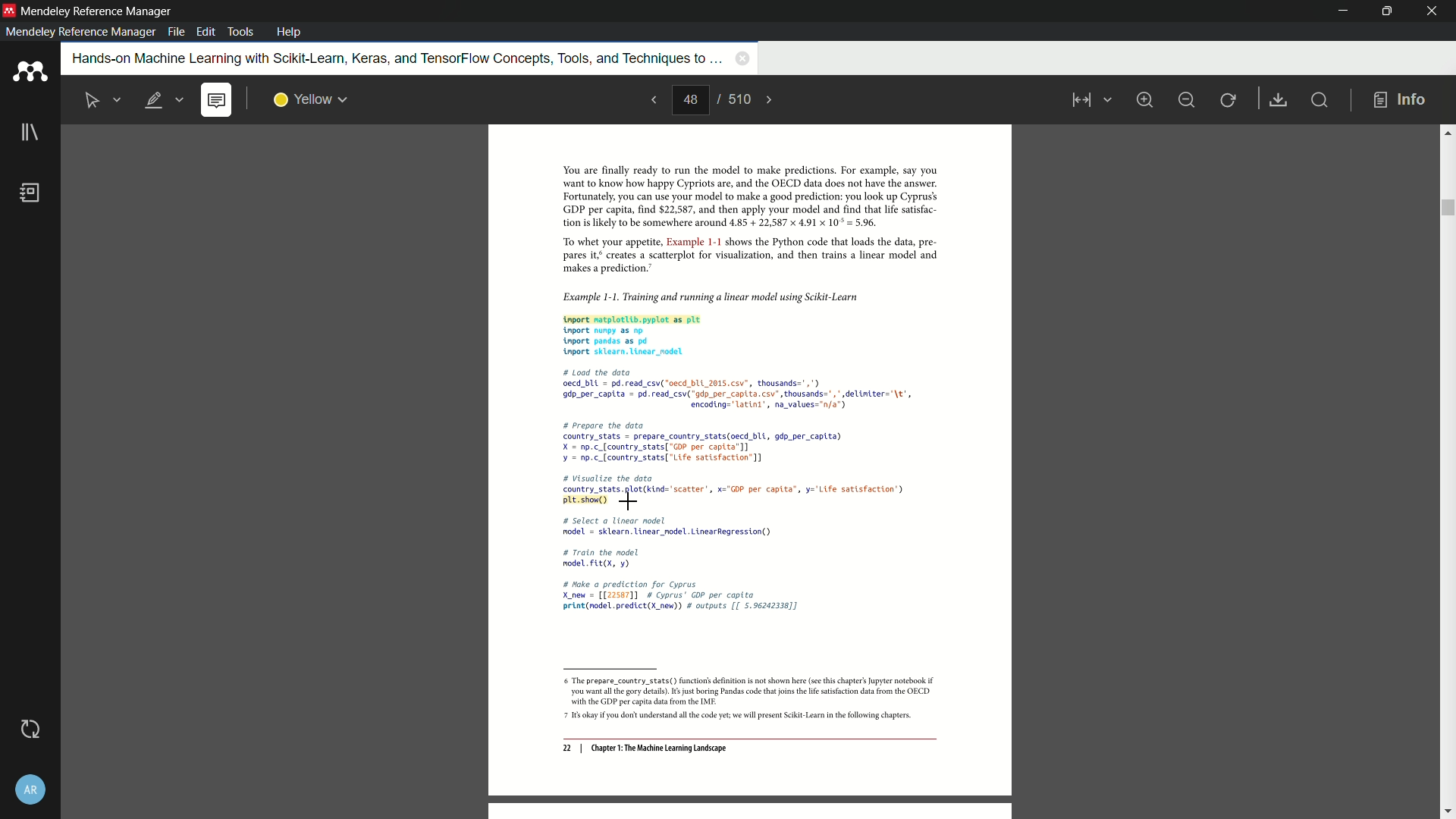 The image size is (1456, 819). What do you see at coordinates (30, 133) in the screenshot?
I see `library` at bounding box center [30, 133].